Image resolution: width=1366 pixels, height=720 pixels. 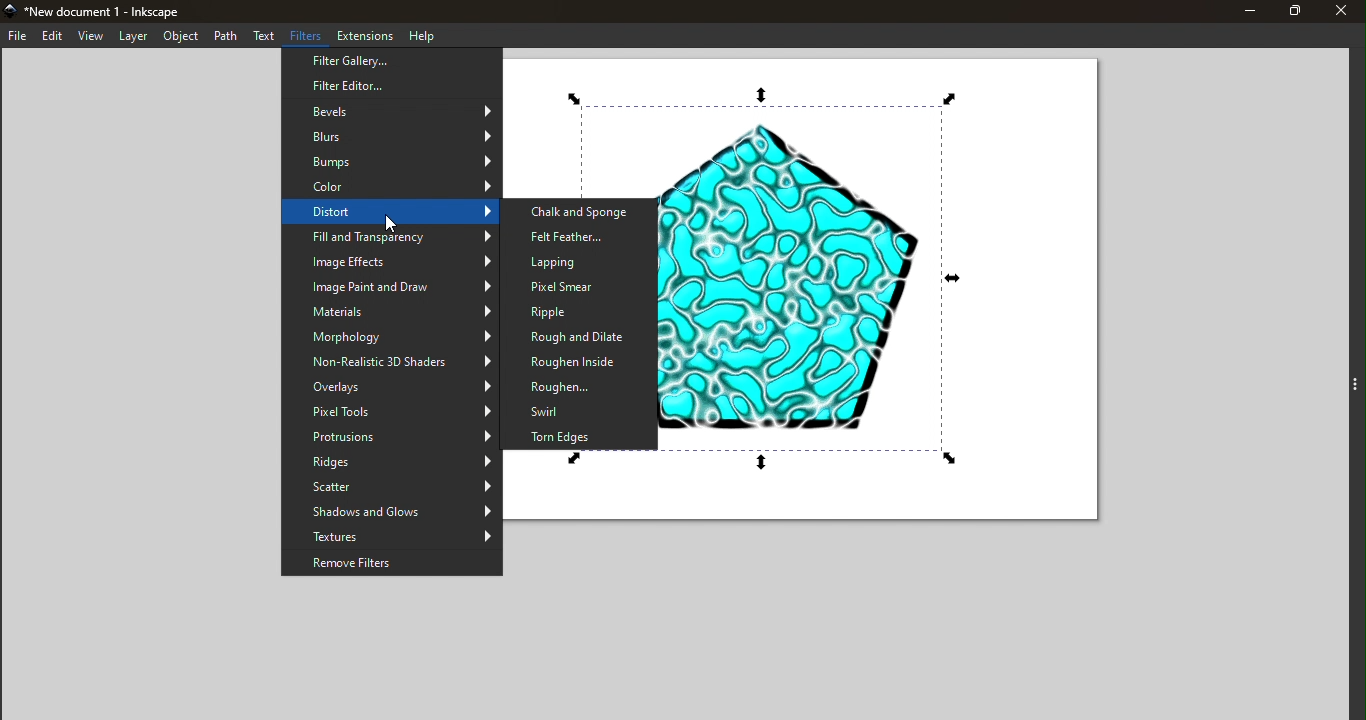 I want to click on Shadows and Glows, so click(x=391, y=512).